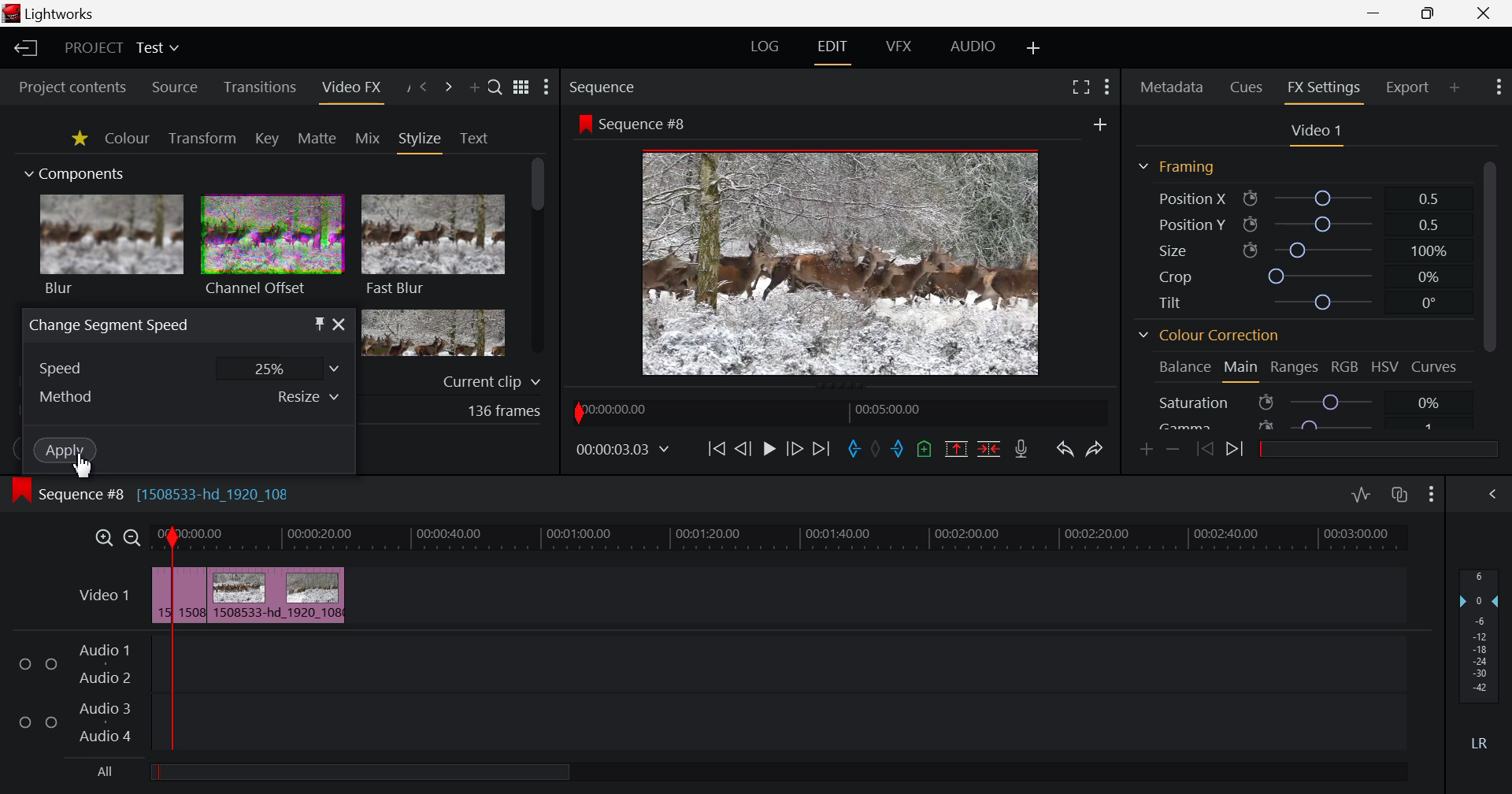 This screenshot has width=1512, height=794. I want to click on Redo, so click(1093, 451).